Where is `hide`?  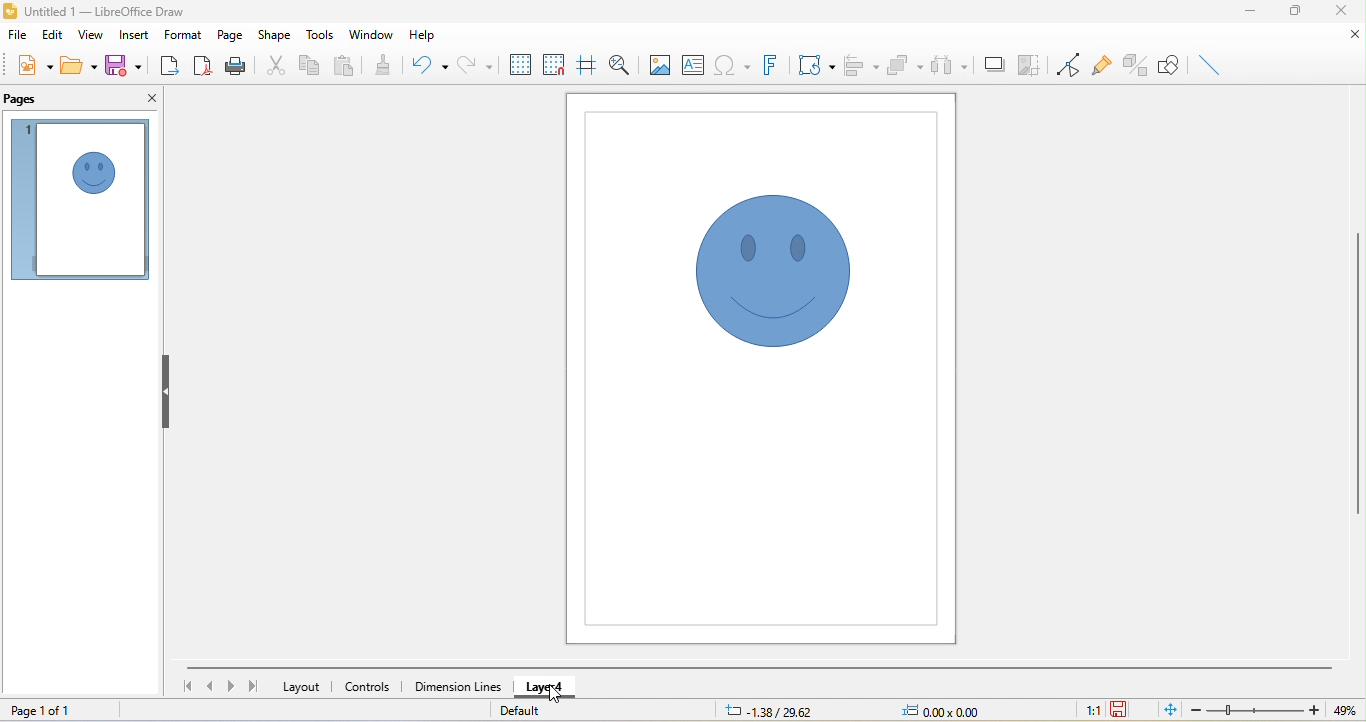
hide is located at coordinates (168, 393).